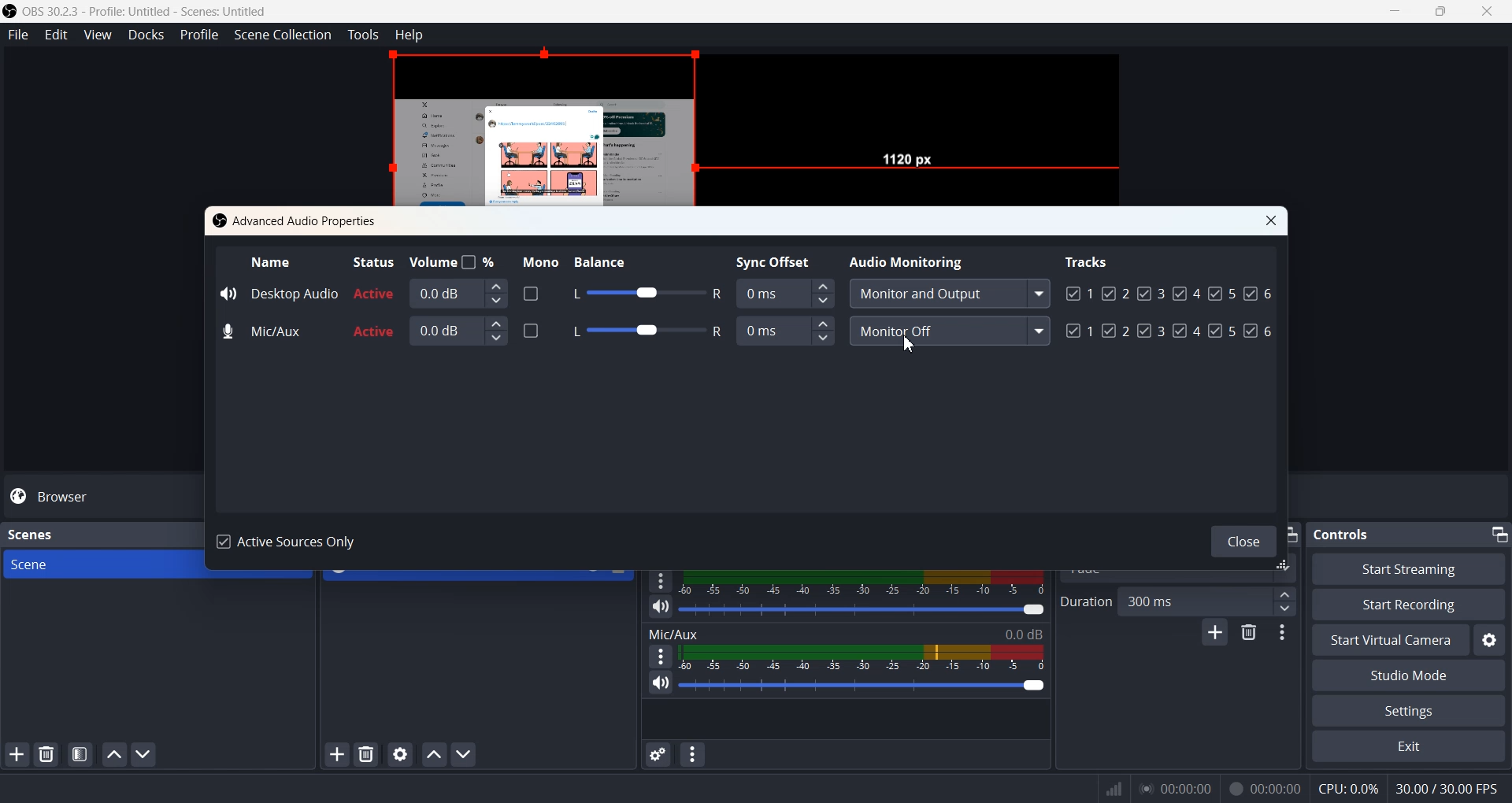  I want to click on Advanced Audio Properties, so click(298, 220).